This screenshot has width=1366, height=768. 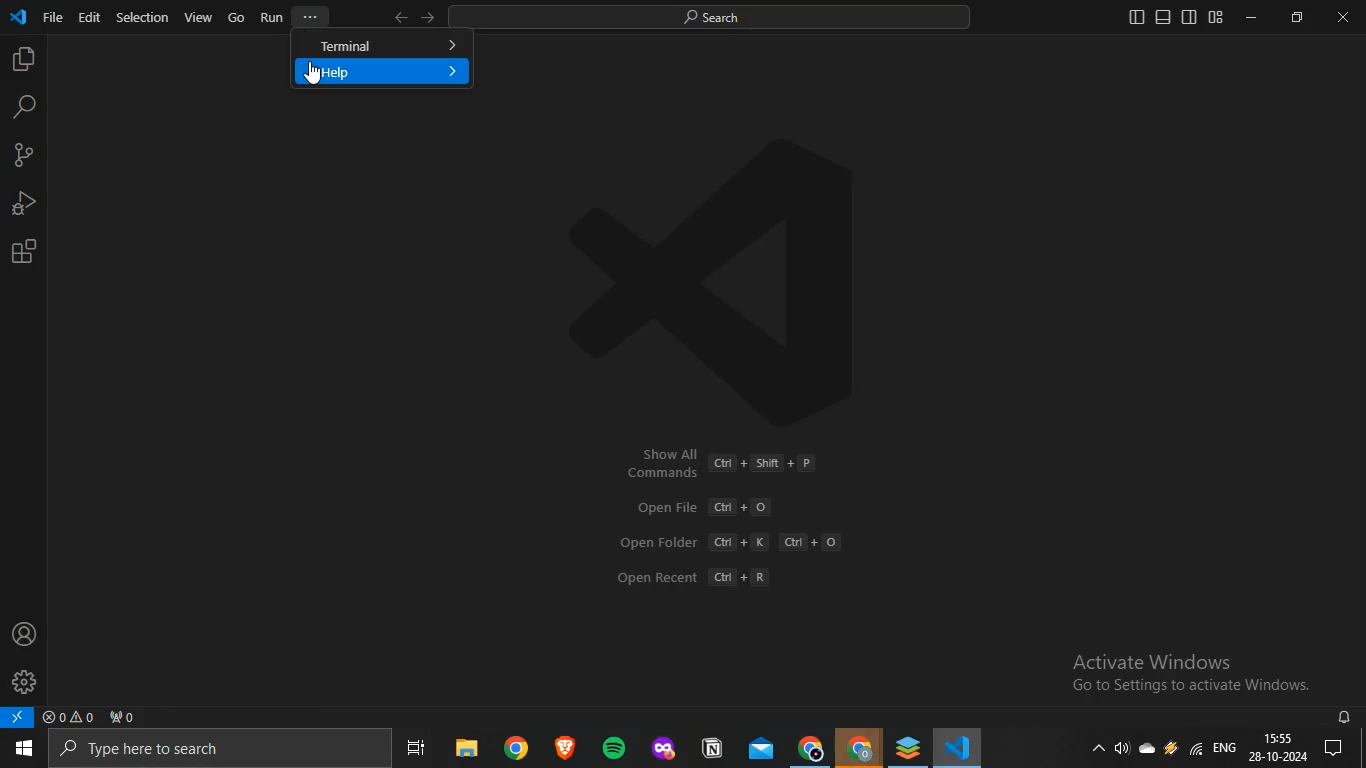 What do you see at coordinates (959, 749) in the screenshot?
I see `VScode` at bounding box center [959, 749].